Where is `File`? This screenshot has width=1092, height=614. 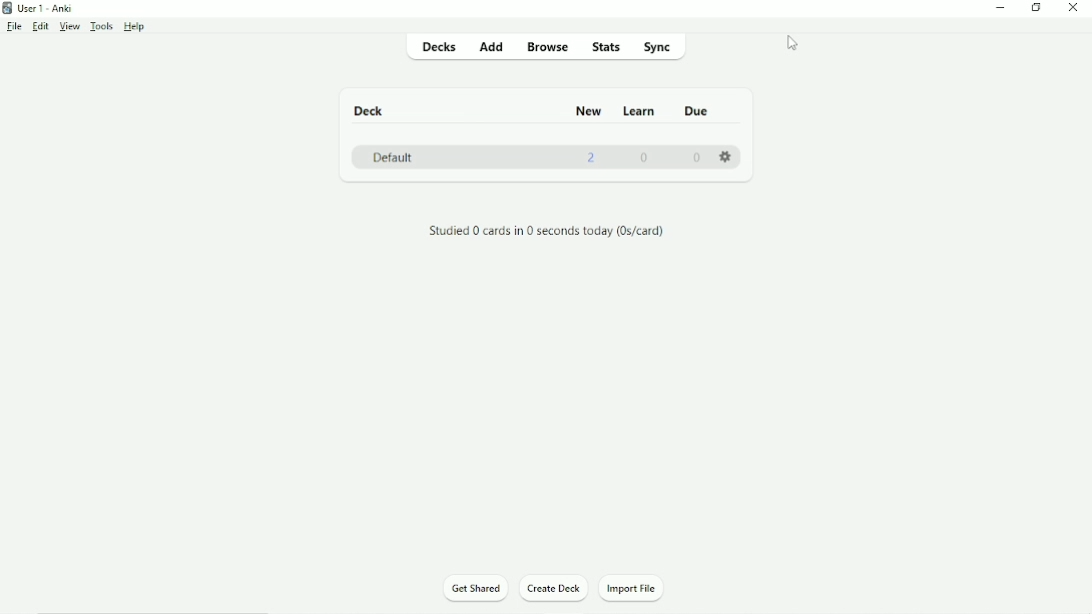
File is located at coordinates (13, 27).